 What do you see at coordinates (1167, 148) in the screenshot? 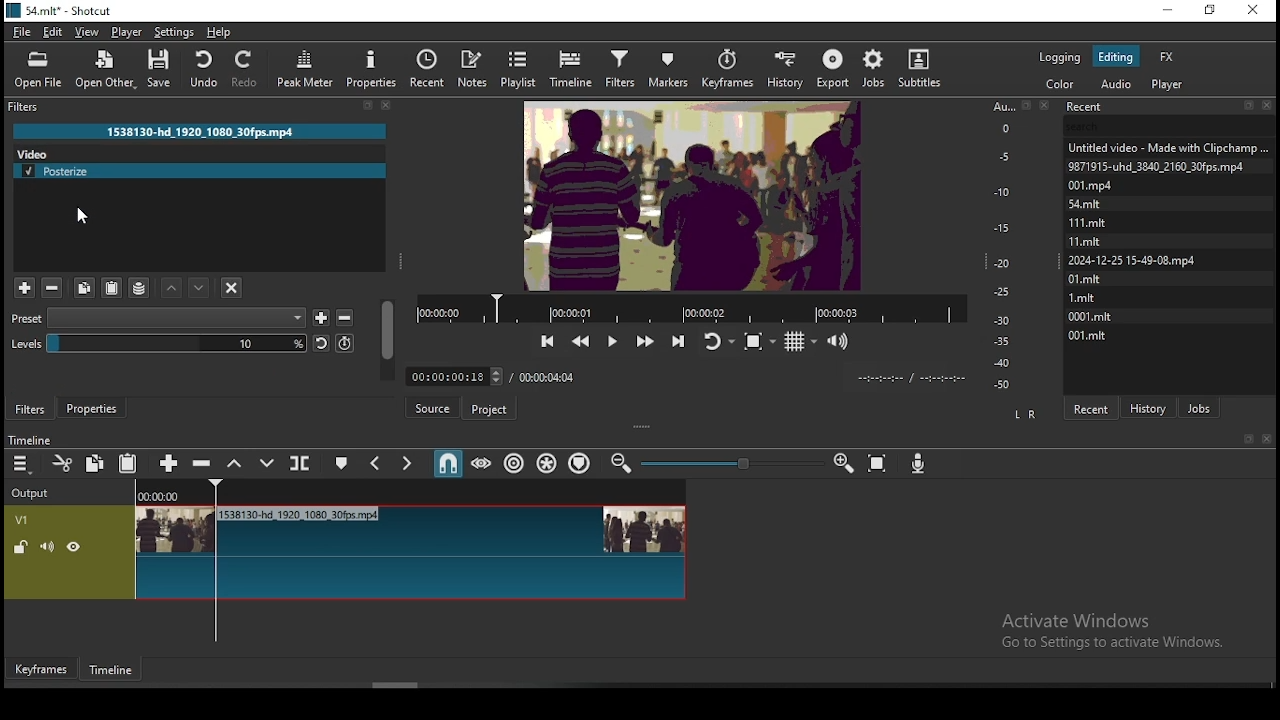
I see `Untitled video - Made with ClipChamp....` at bounding box center [1167, 148].